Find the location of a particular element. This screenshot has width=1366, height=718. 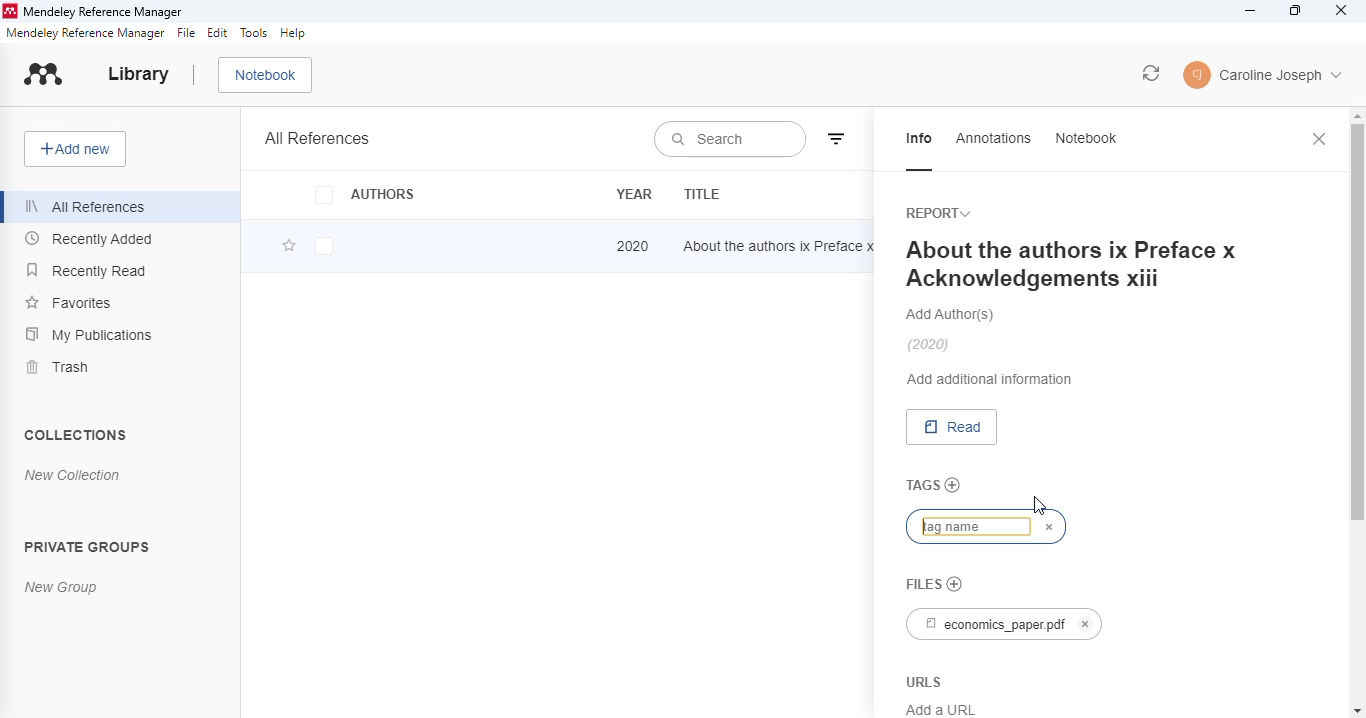

about the authors ix Preface x Acknowledgements xiii is located at coordinates (782, 245).